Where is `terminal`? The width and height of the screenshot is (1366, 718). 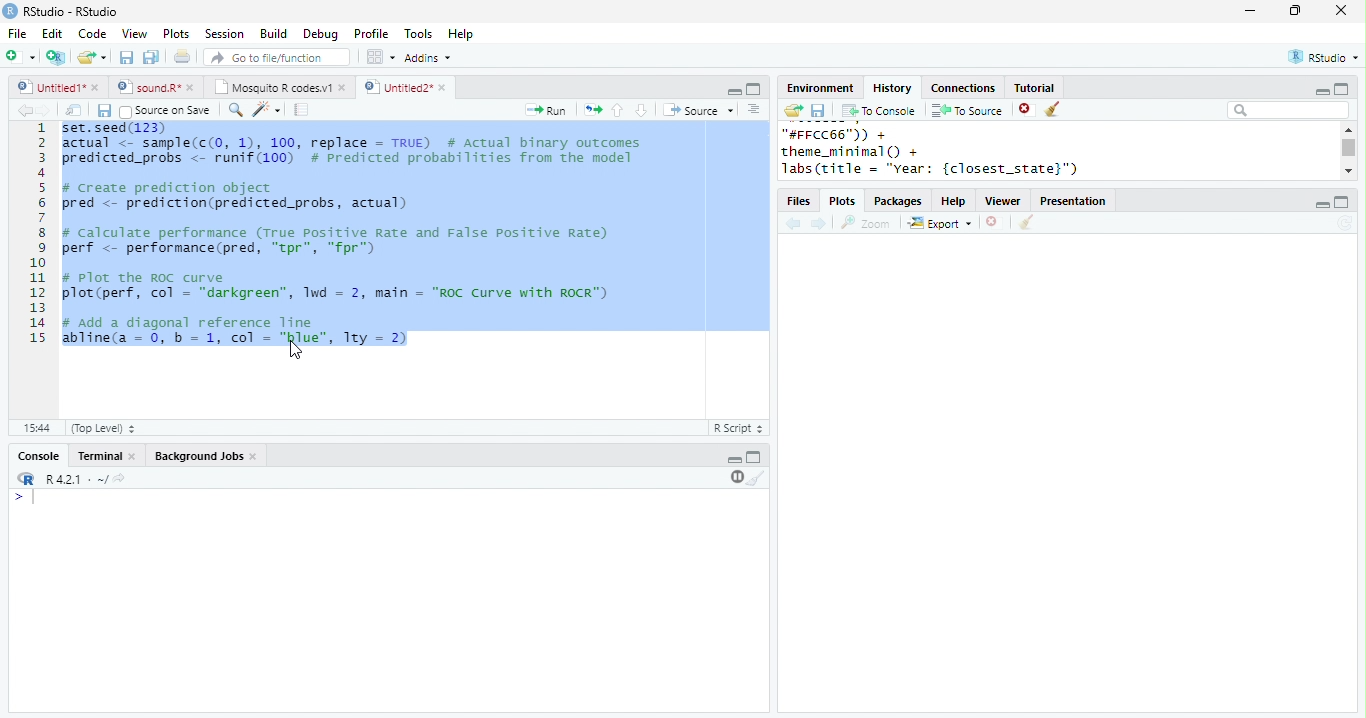 terminal is located at coordinates (97, 457).